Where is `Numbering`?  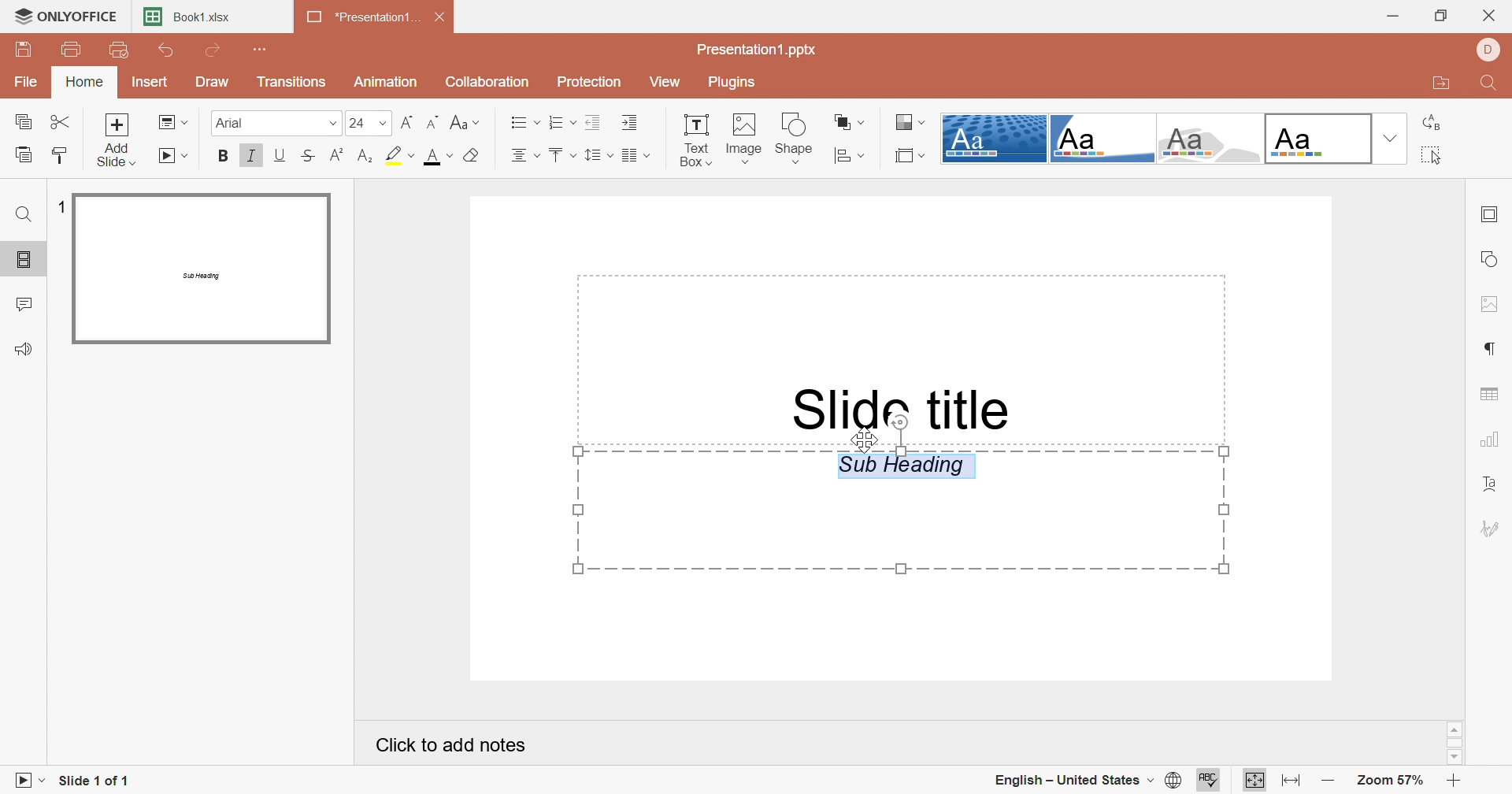
Numbering is located at coordinates (561, 121).